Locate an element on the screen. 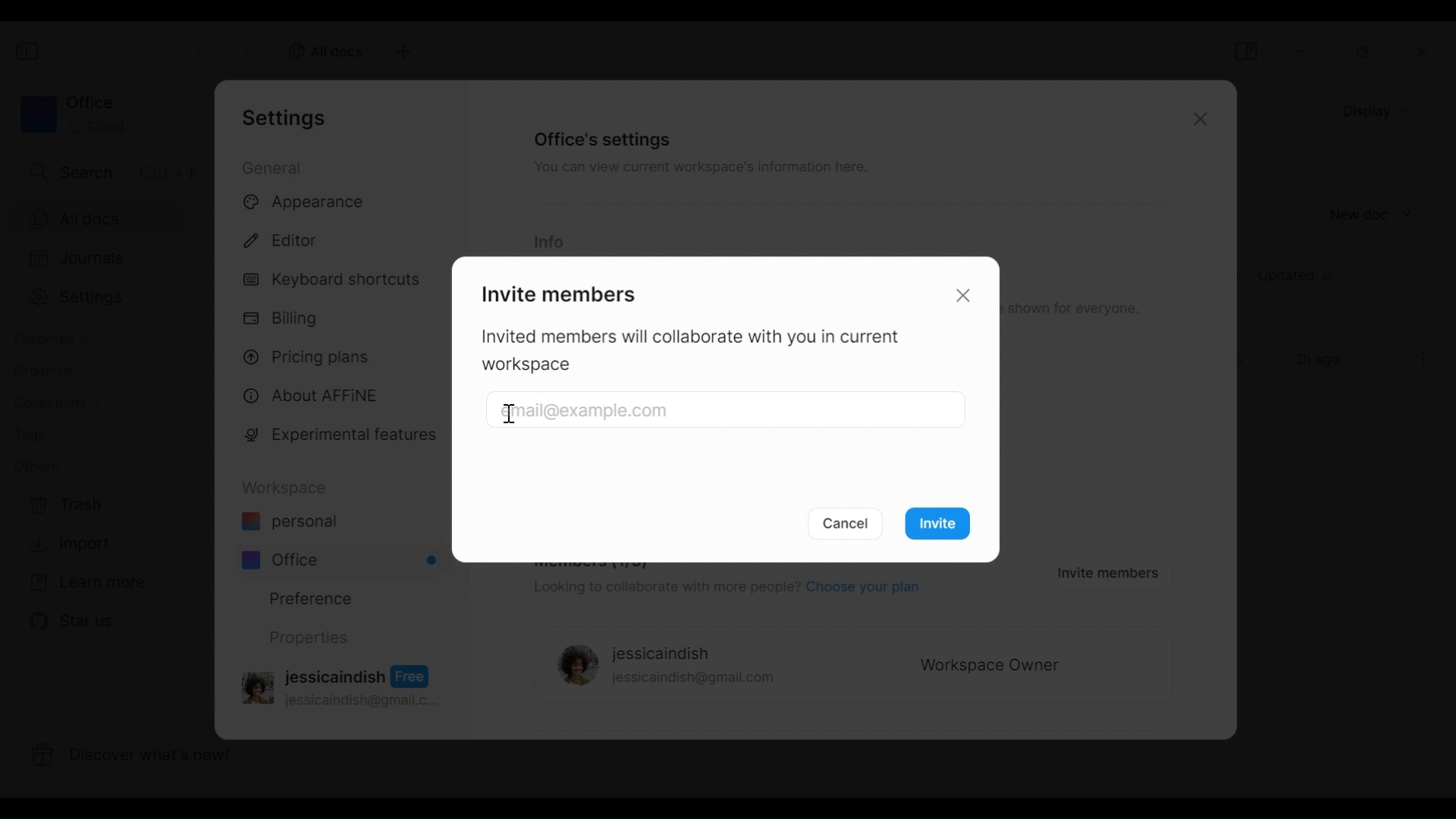  All documents is located at coordinates (106, 218).